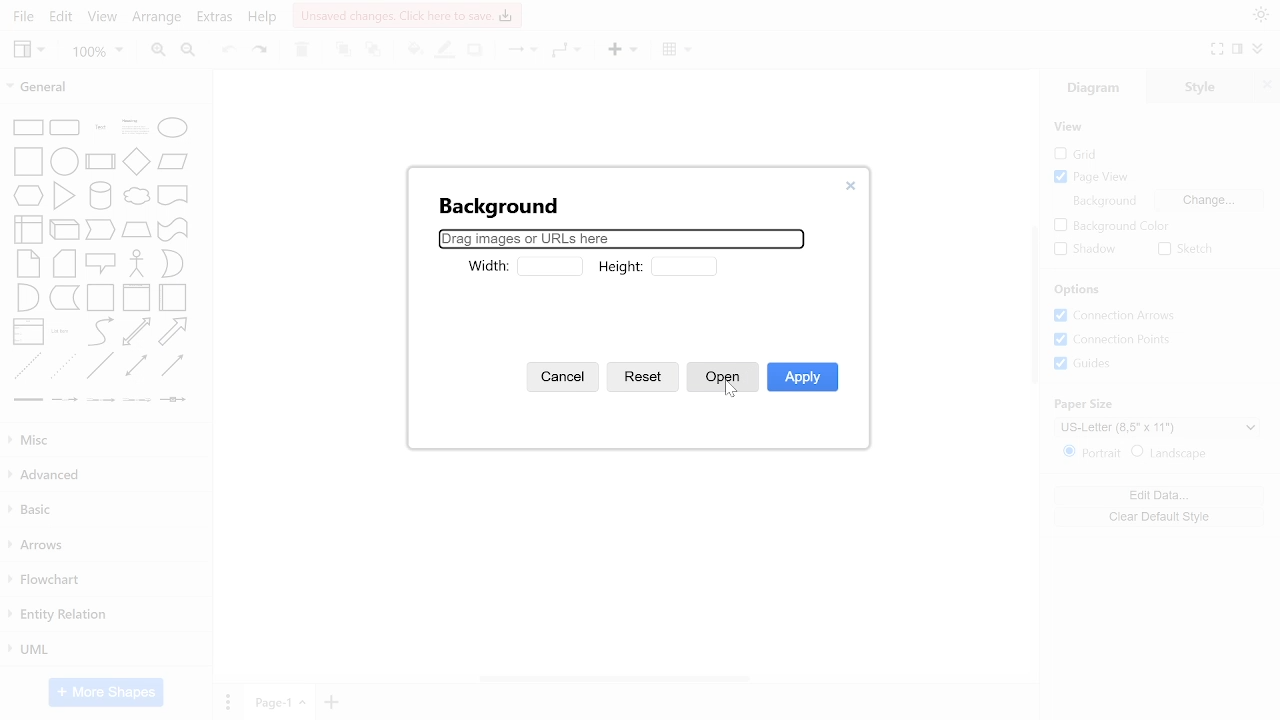 The height and width of the screenshot is (720, 1280). I want to click on general shapes, so click(61, 366).